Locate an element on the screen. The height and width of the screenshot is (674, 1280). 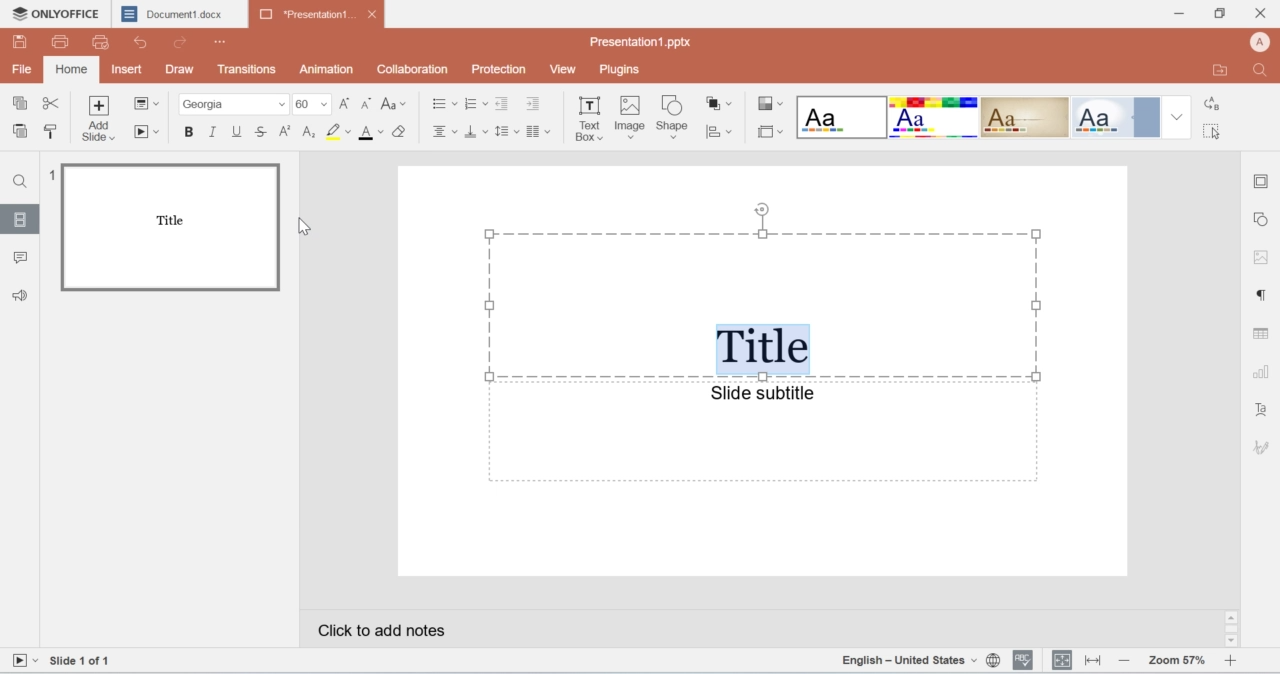
line spacing is located at coordinates (506, 131).